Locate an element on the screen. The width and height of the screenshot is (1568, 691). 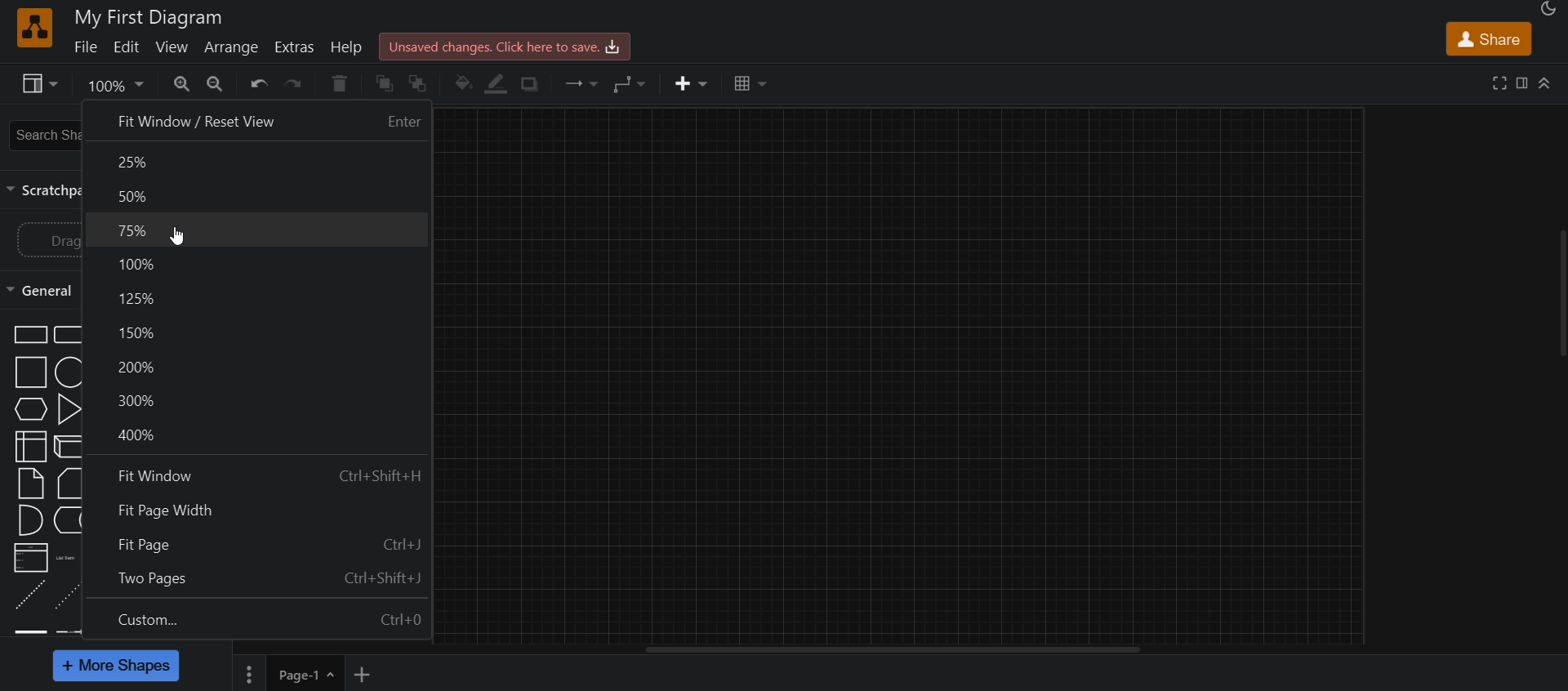
insert is located at coordinates (685, 86).